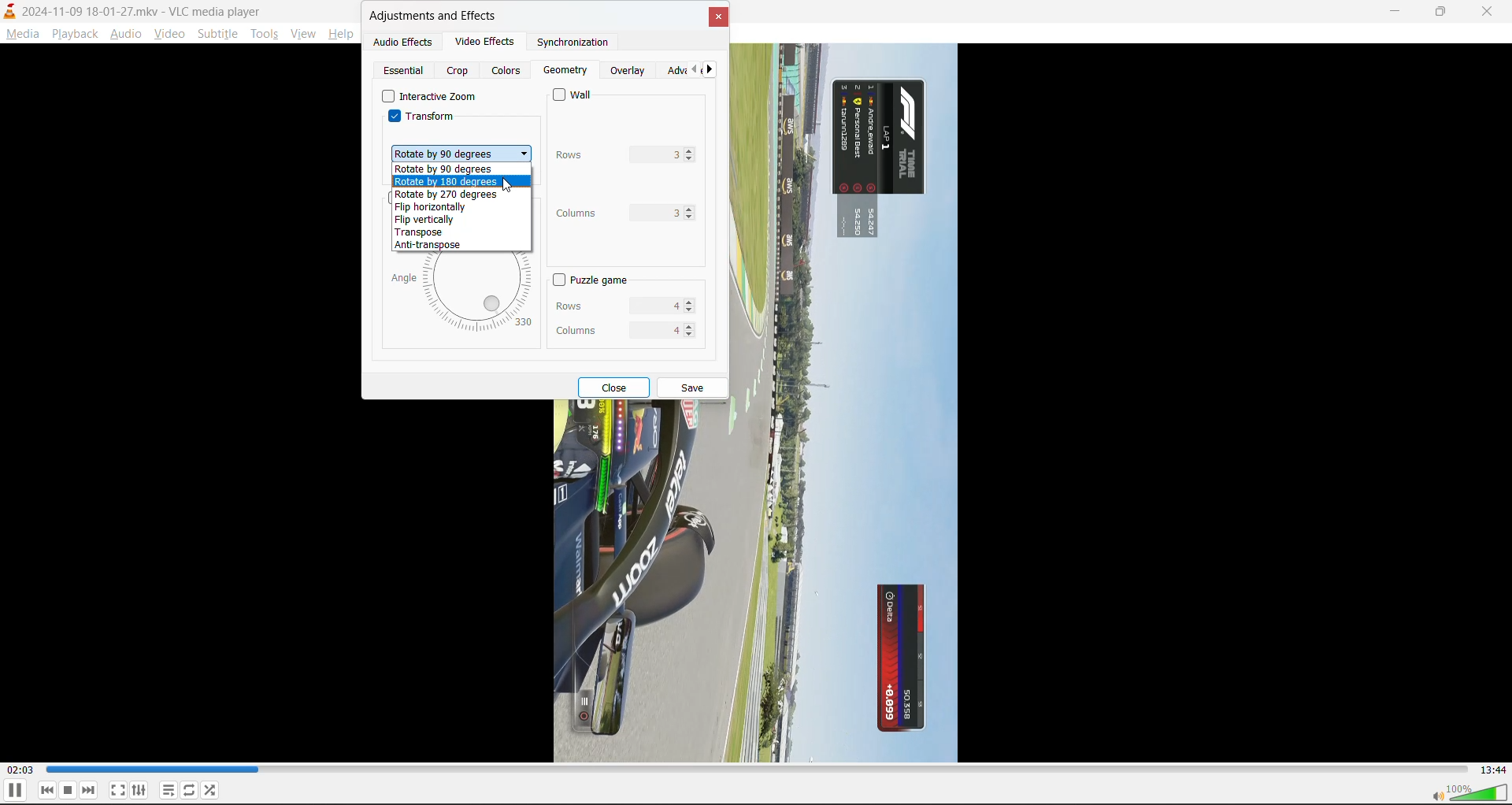 Image resolution: width=1512 pixels, height=805 pixels. I want to click on help, so click(340, 37).